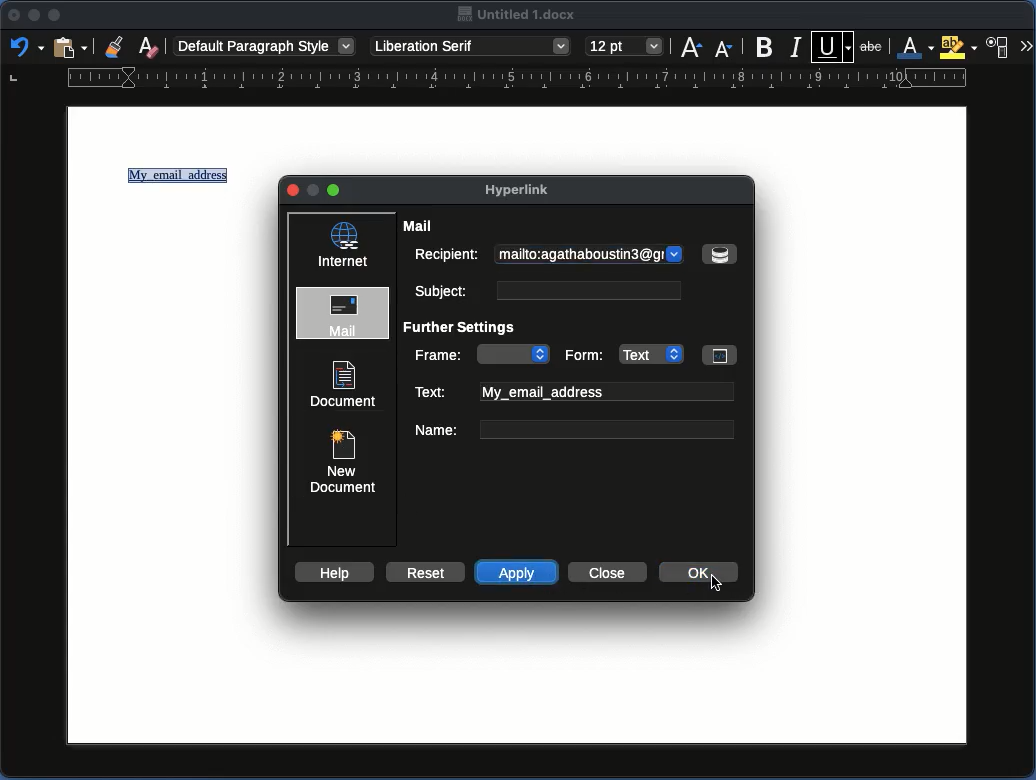 The width and height of the screenshot is (1036, 780). What do you see at coordinates (574, 392) in the screenshot?
I see `Text` at bounding box center [574, 392].